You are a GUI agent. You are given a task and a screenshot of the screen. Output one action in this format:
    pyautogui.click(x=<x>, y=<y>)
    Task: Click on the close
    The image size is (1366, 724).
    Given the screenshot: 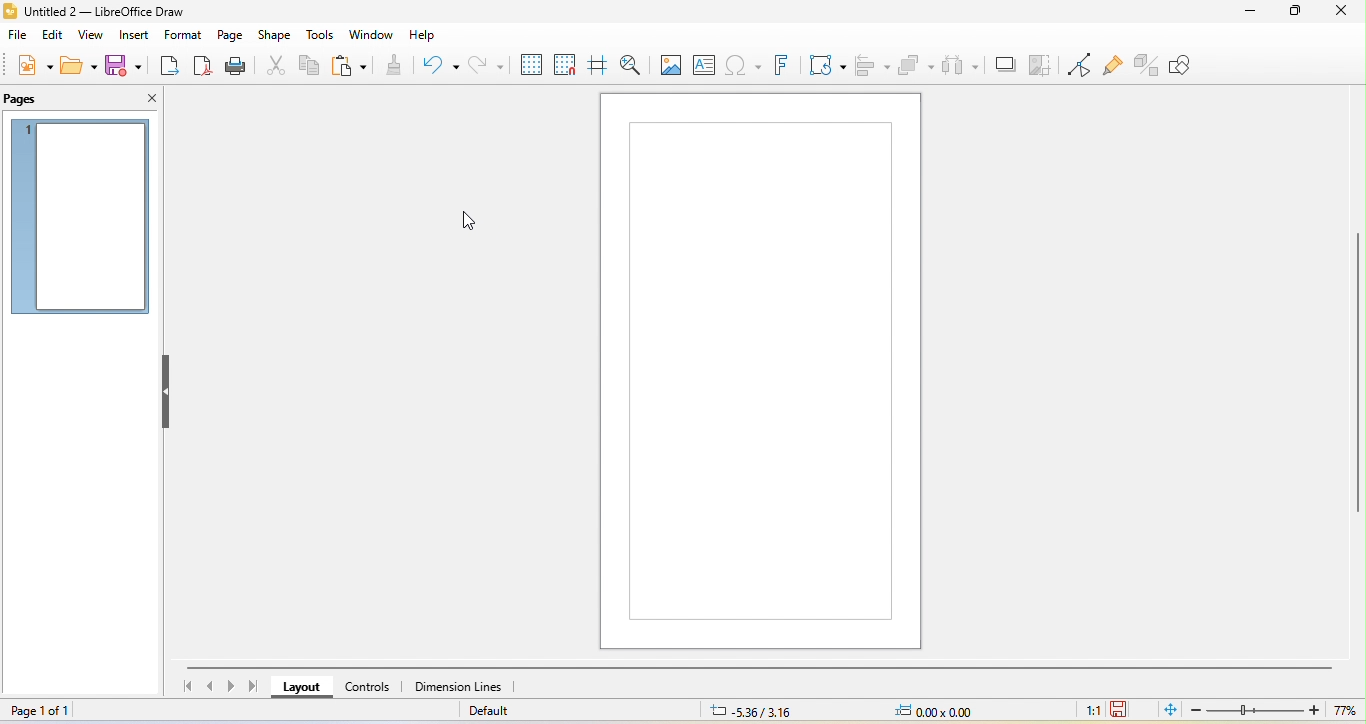 What is the action you would take?
    pyautogui.click(x=1340, y=11)
    